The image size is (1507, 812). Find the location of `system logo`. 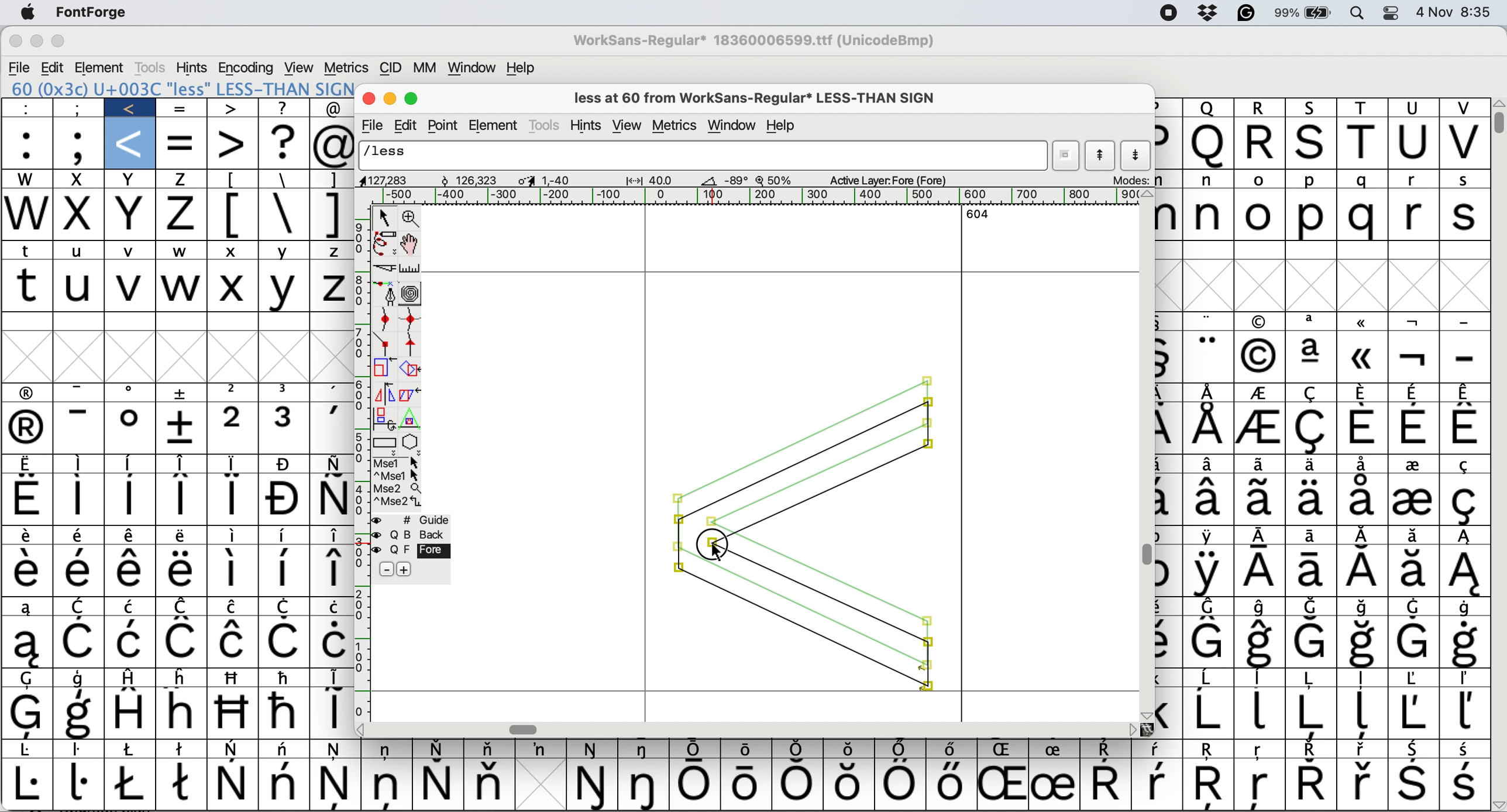

system logo is located at coordinates (29, 12).